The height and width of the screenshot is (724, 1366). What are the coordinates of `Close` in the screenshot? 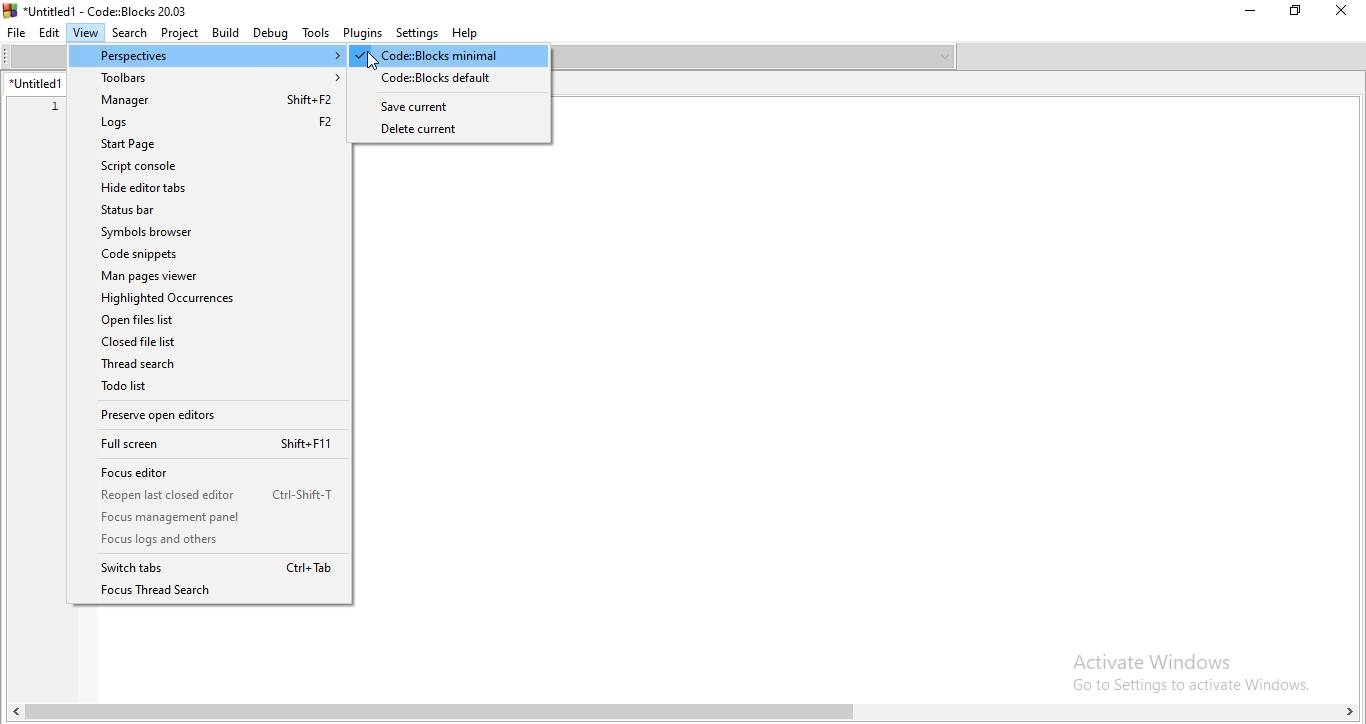 It's located at (1337, 14).